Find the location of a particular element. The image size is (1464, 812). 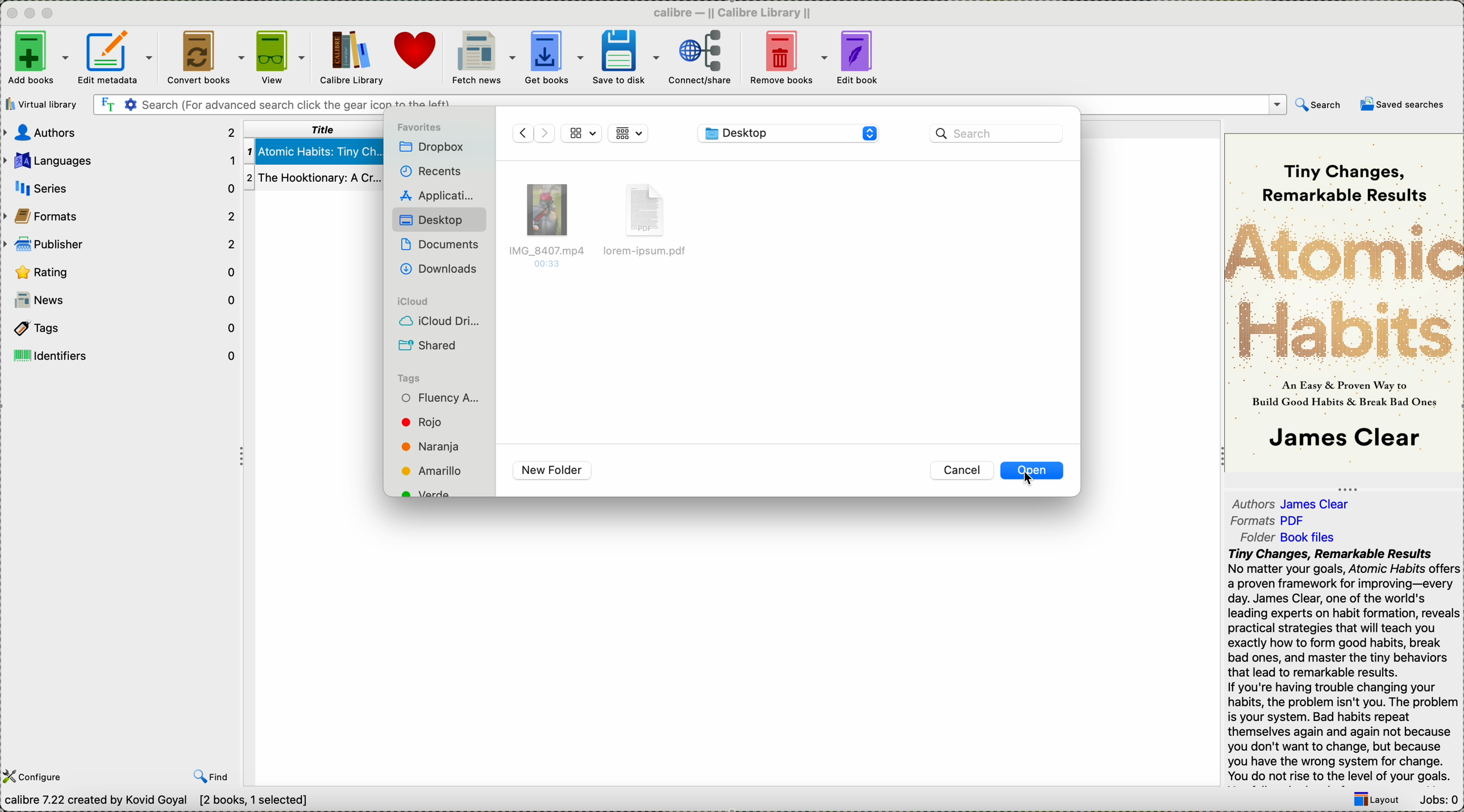

authors is located at coordinates (118, 134).